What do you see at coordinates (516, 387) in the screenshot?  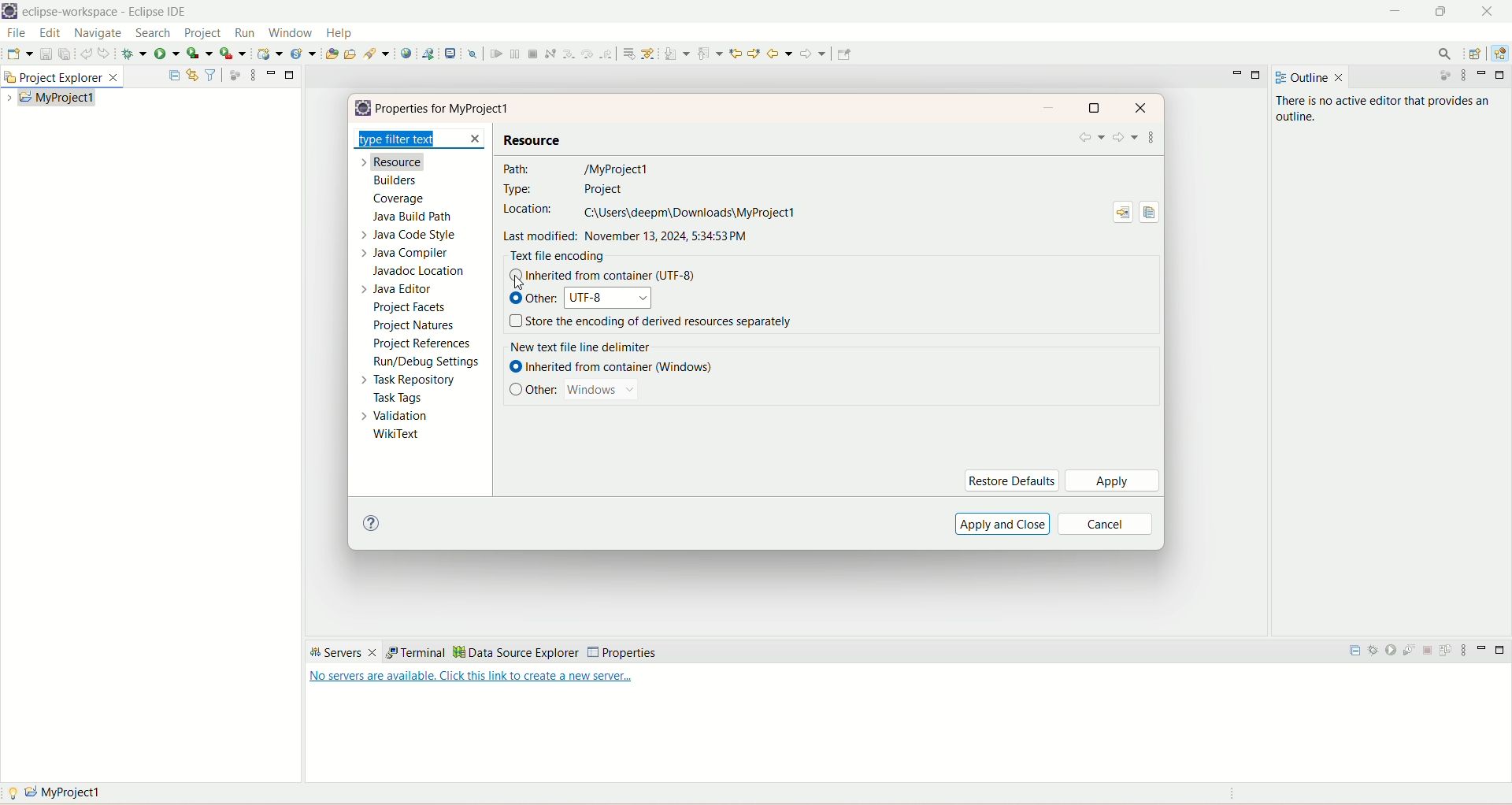 I see `check box` at bounding box center [516, 387].